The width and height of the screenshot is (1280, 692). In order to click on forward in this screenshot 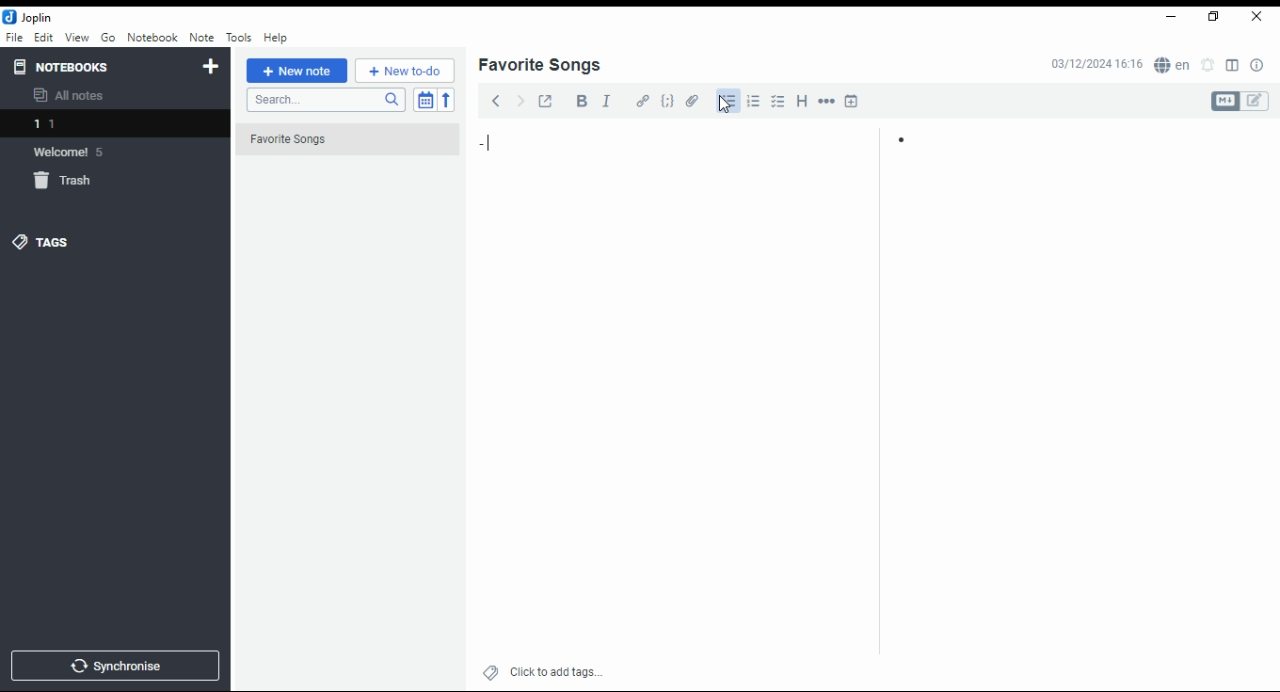, I will do `click(520, 99)`.